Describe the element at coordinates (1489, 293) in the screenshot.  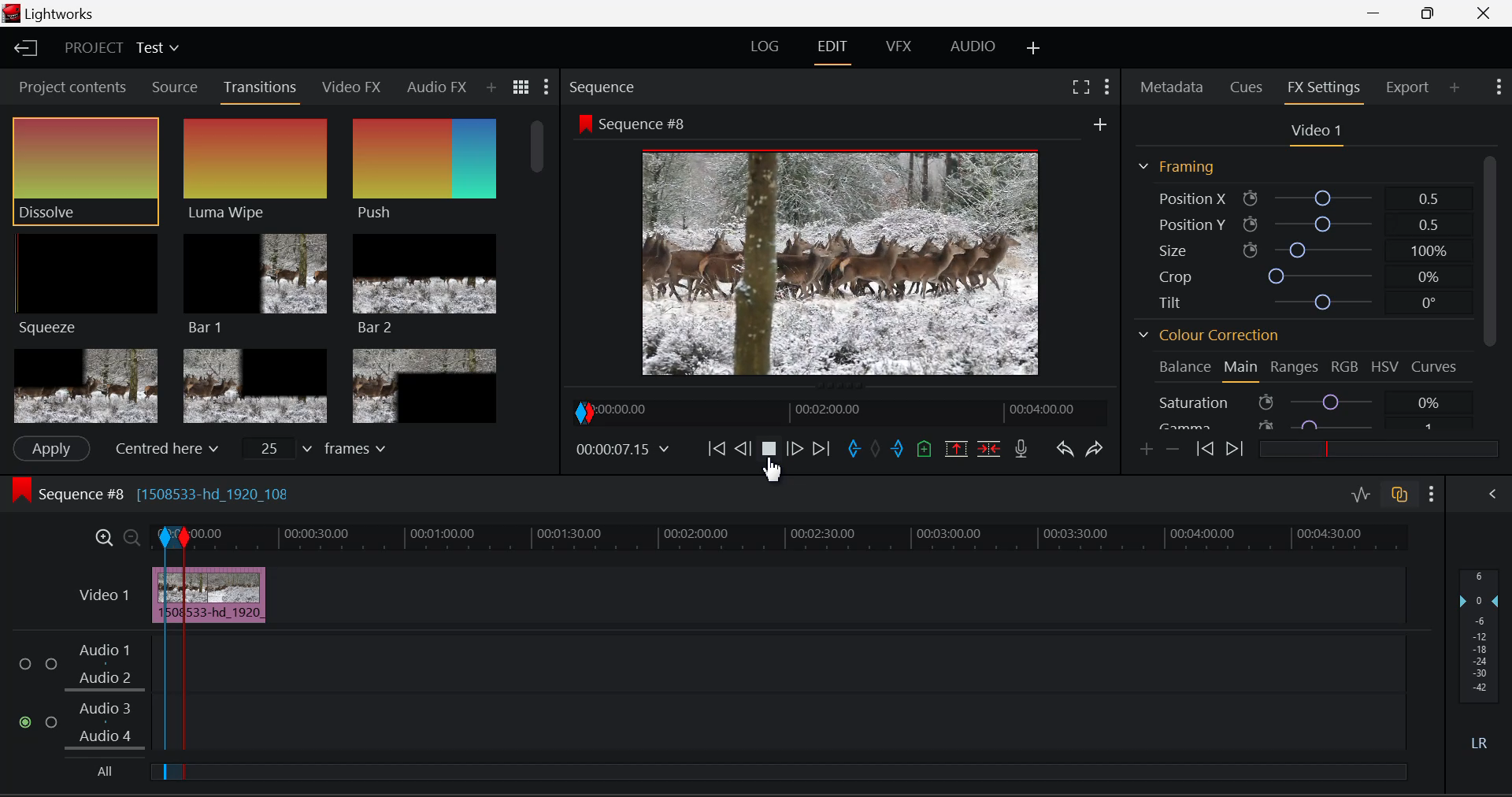
I see `Scroll Bar` at that location.